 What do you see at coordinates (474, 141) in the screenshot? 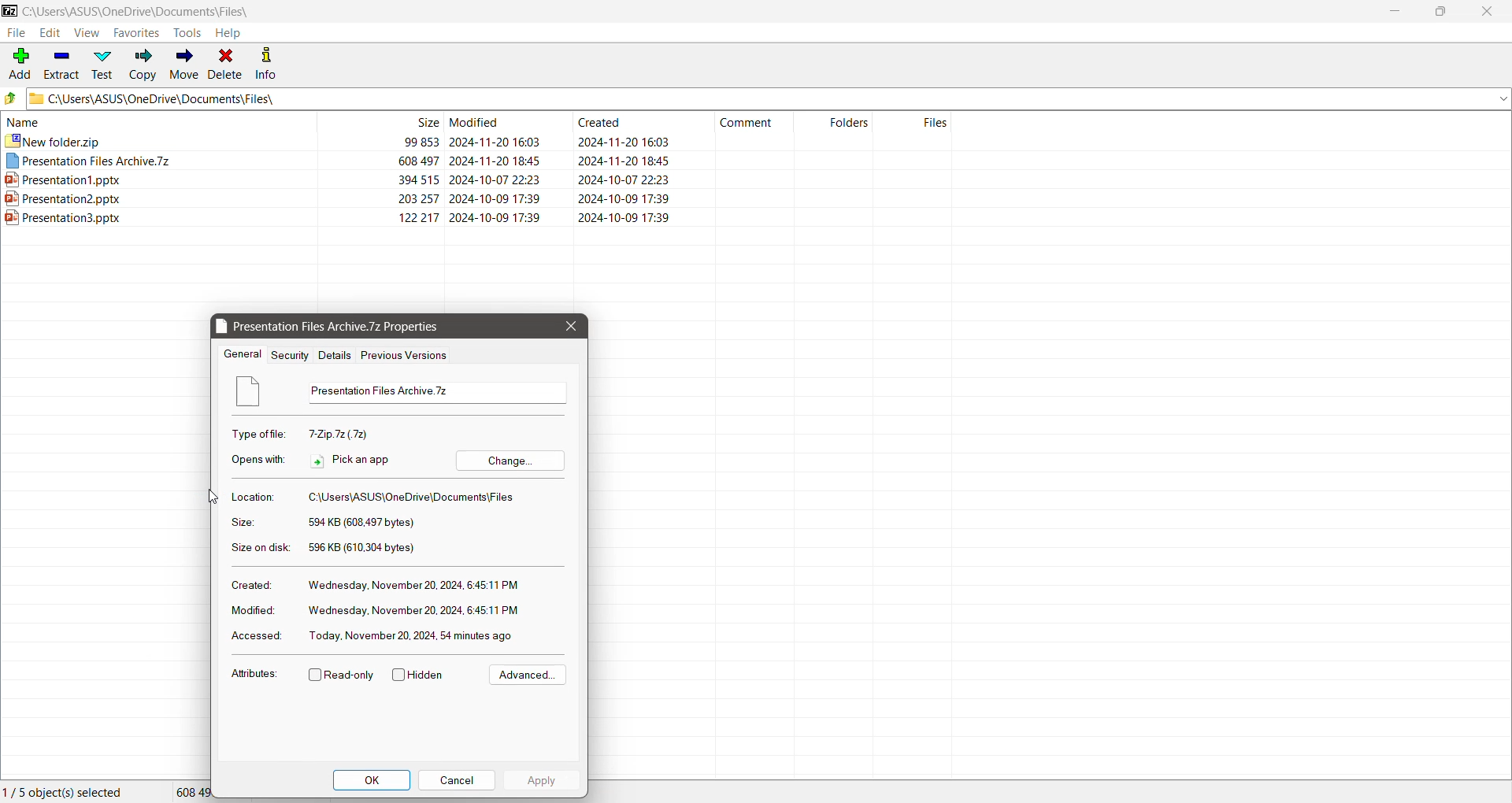
I see `new folder` at bounding box center [474, 141].